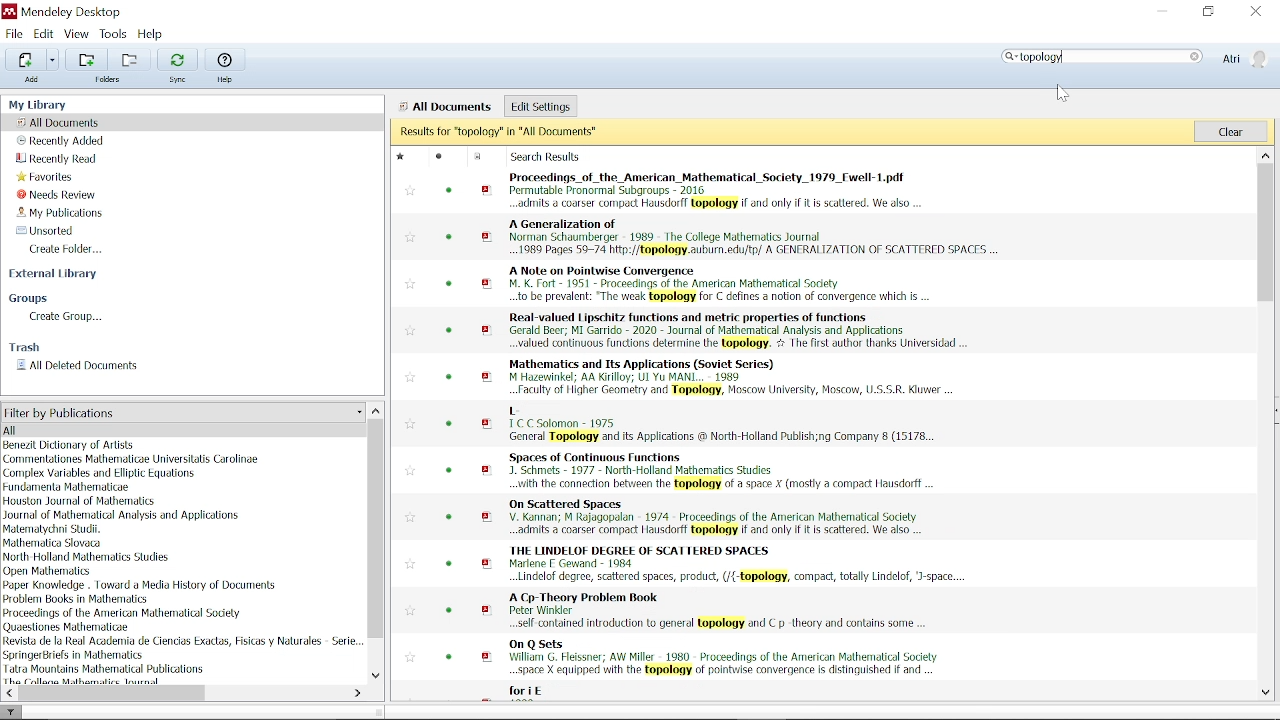 The width and height of the screenshot is (1280, 720). I want to click on Move down, so click(1266, 693).